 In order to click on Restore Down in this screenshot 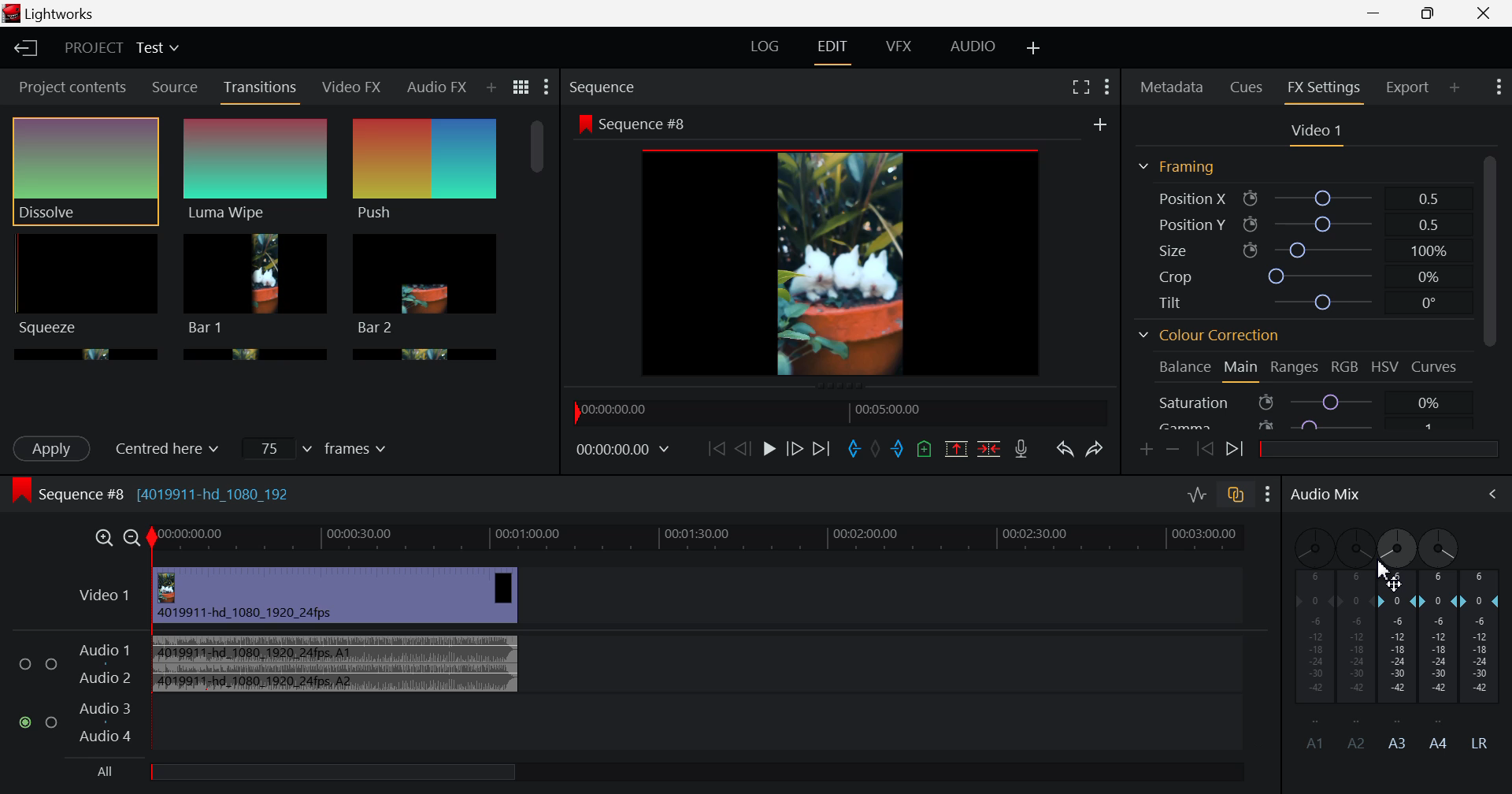, I will do `click(1374, 14)`.